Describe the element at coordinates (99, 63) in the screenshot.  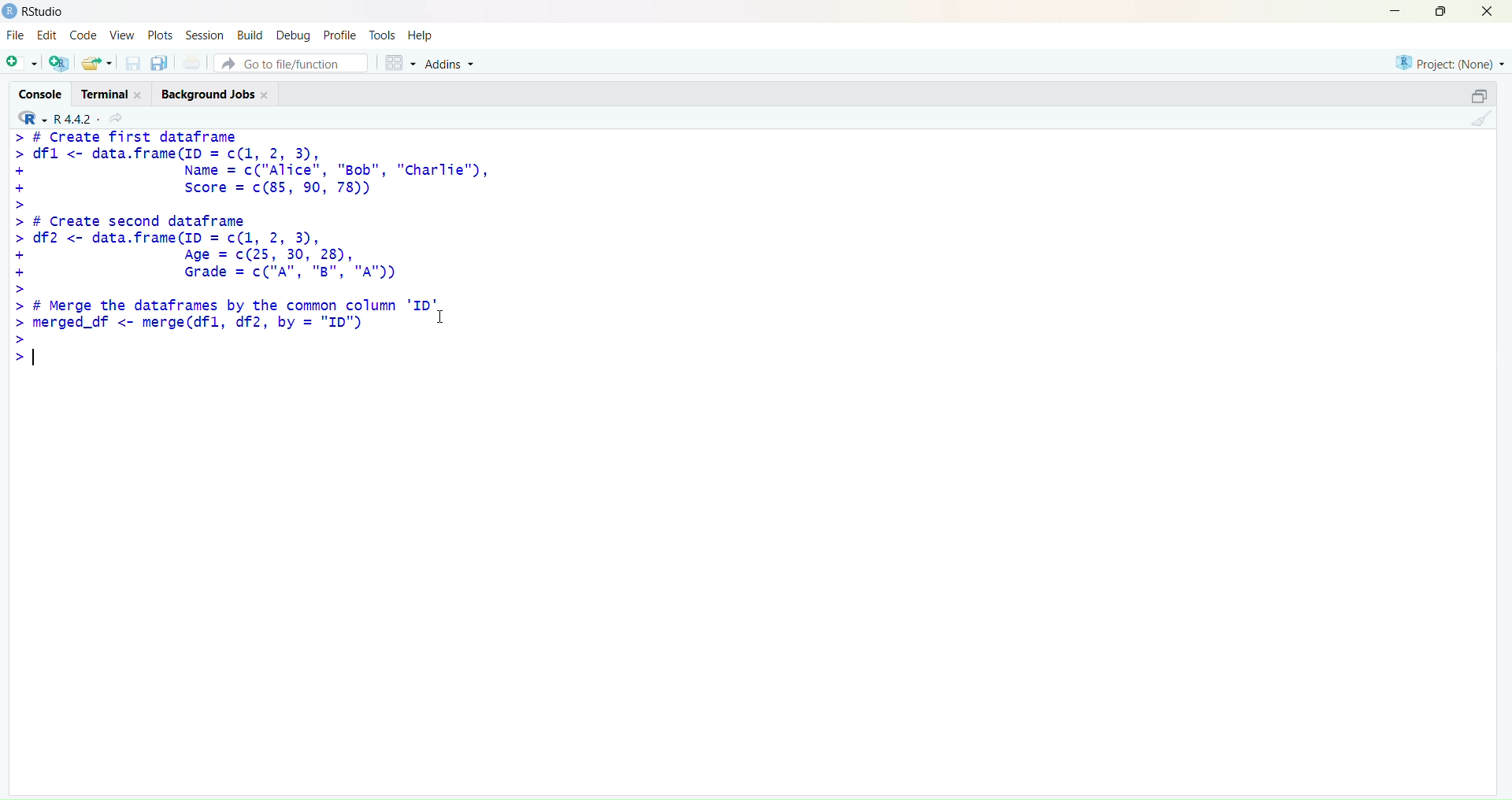
I see `open existing file` at that location.